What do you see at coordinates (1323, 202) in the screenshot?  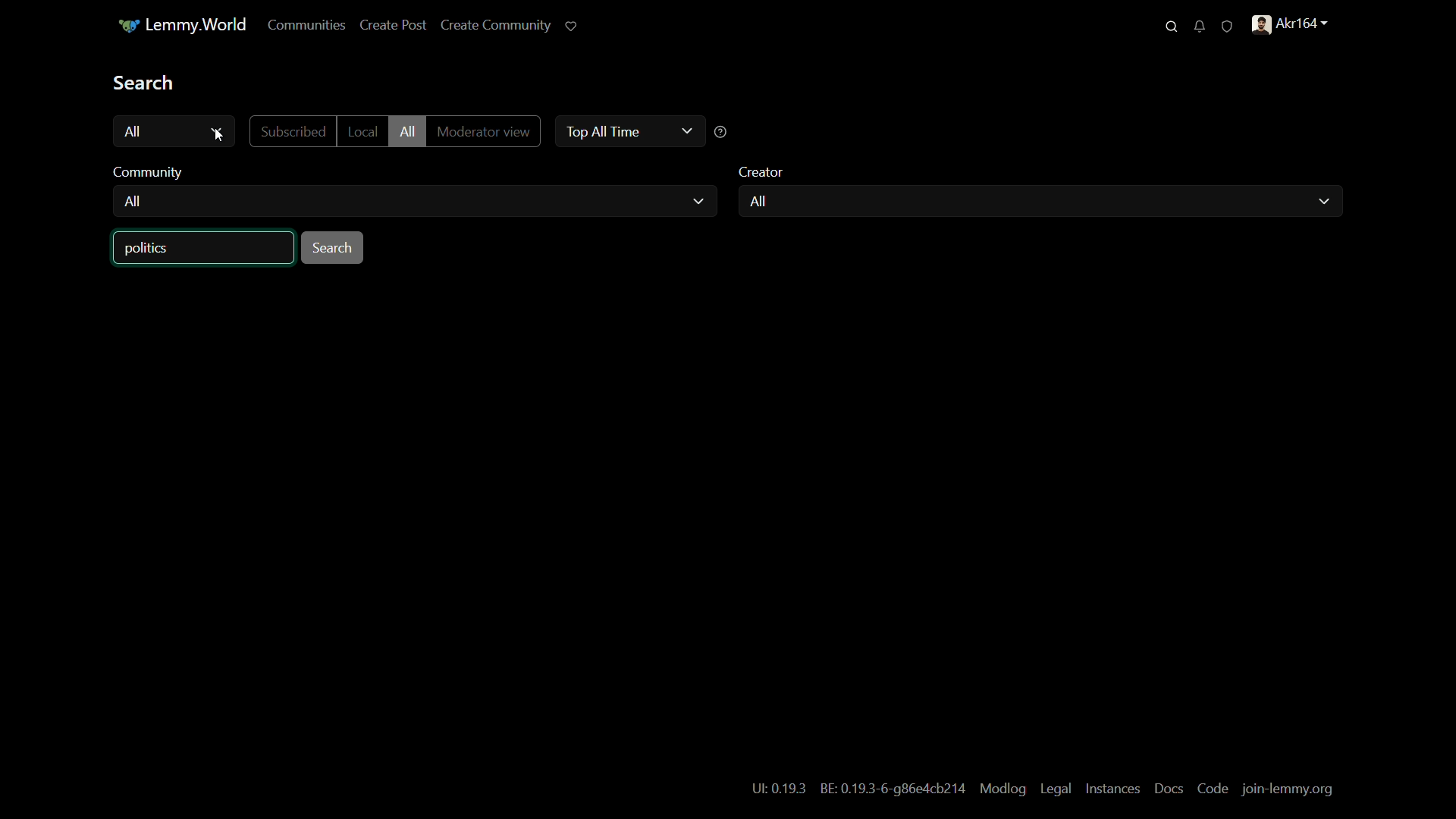 I see `dropdown` at bounding box center [1323, 202].